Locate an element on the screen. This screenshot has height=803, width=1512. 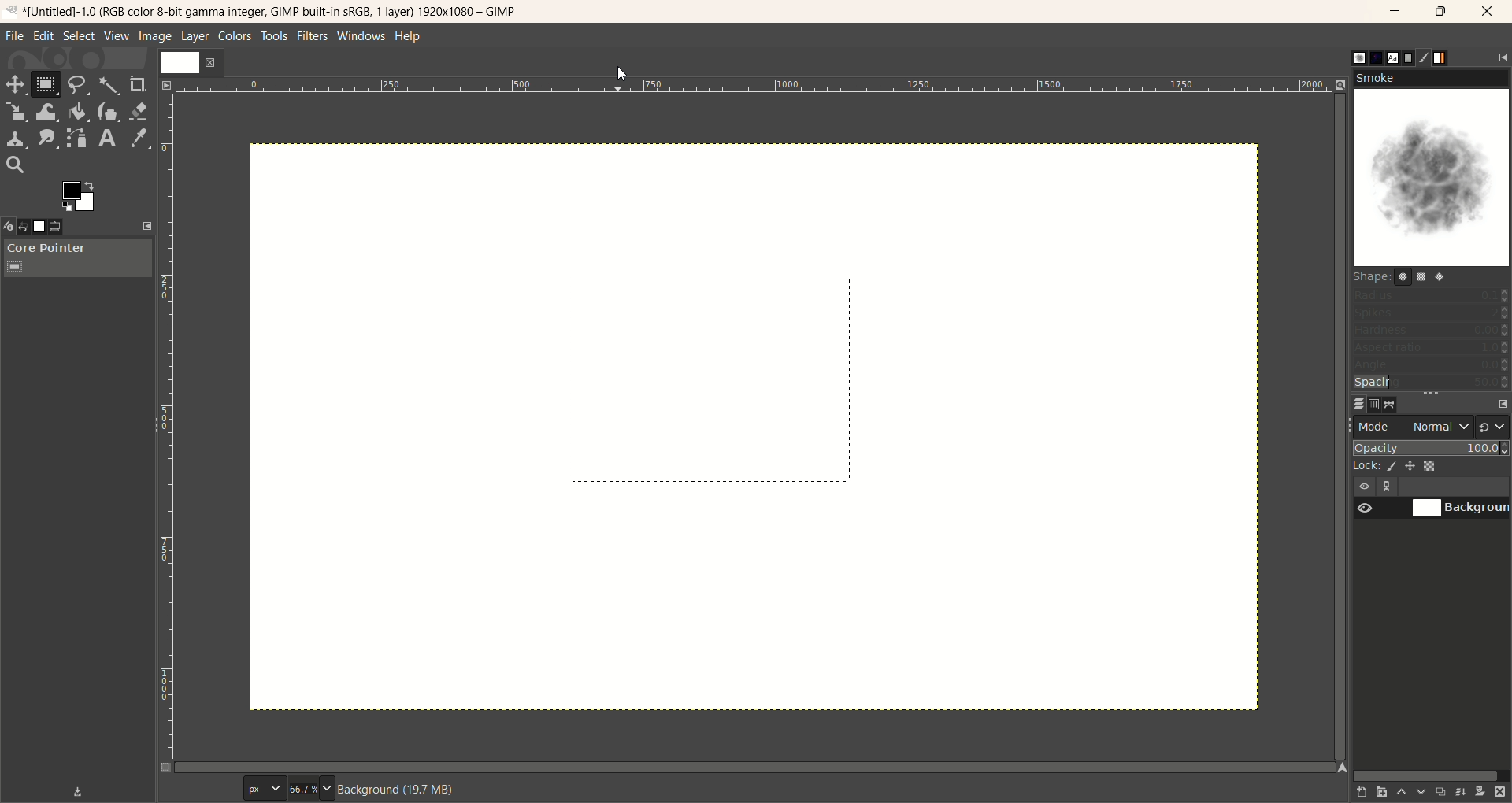
lock pixels is located at coordinates (1392, 467).